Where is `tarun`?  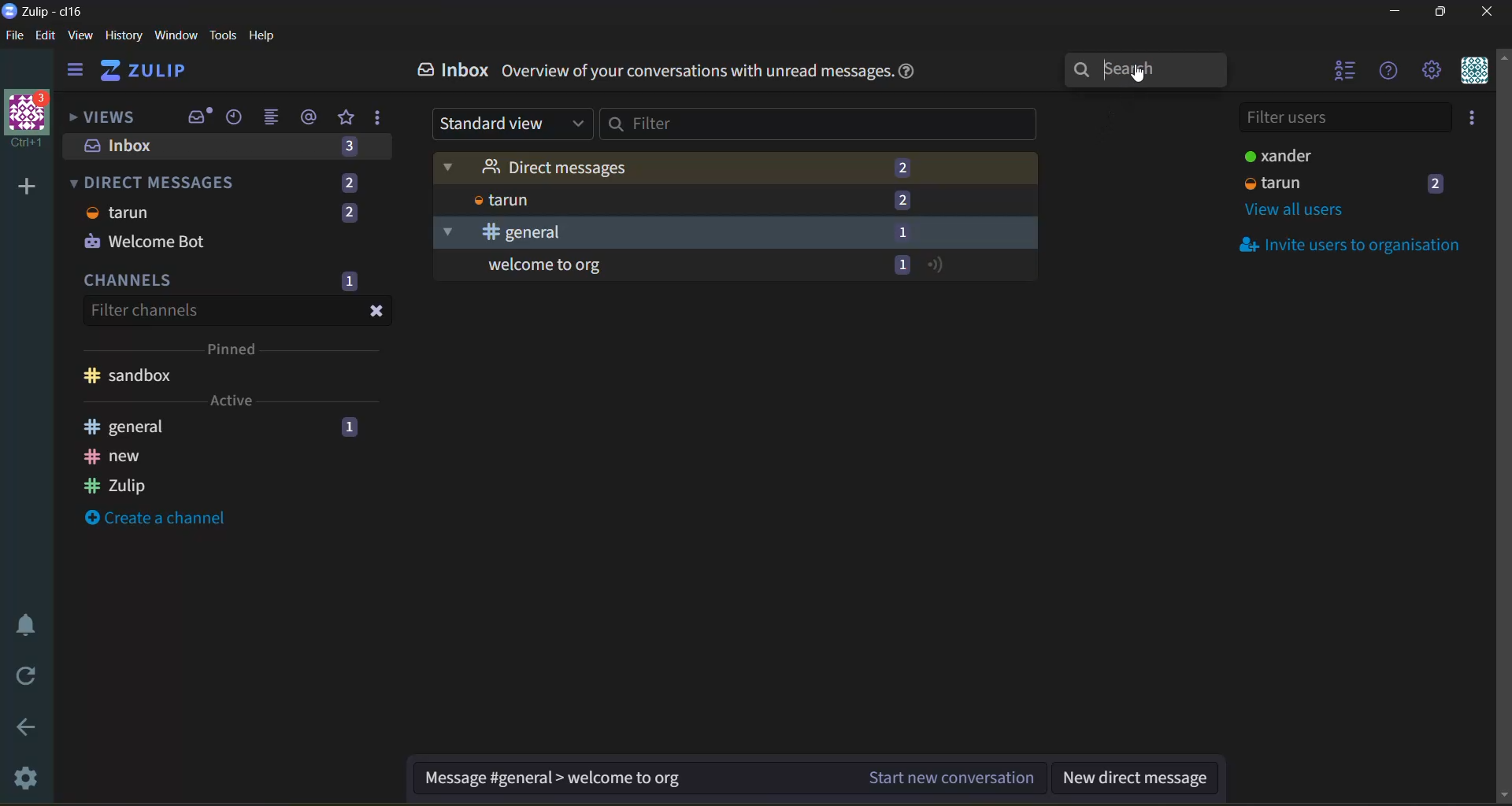
tarun is located at coordinates (1274, 183).